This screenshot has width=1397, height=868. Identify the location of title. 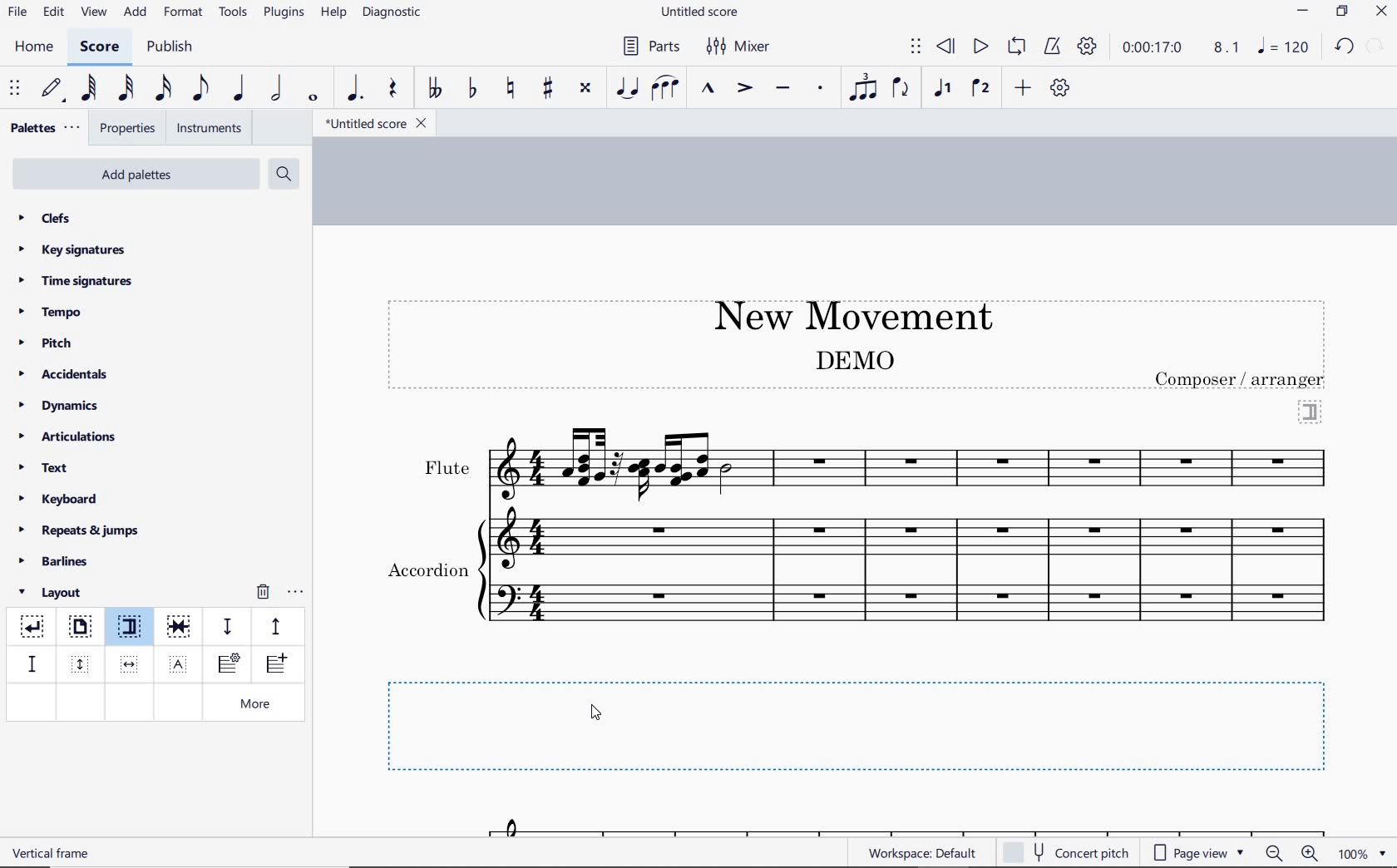
(845, 313).